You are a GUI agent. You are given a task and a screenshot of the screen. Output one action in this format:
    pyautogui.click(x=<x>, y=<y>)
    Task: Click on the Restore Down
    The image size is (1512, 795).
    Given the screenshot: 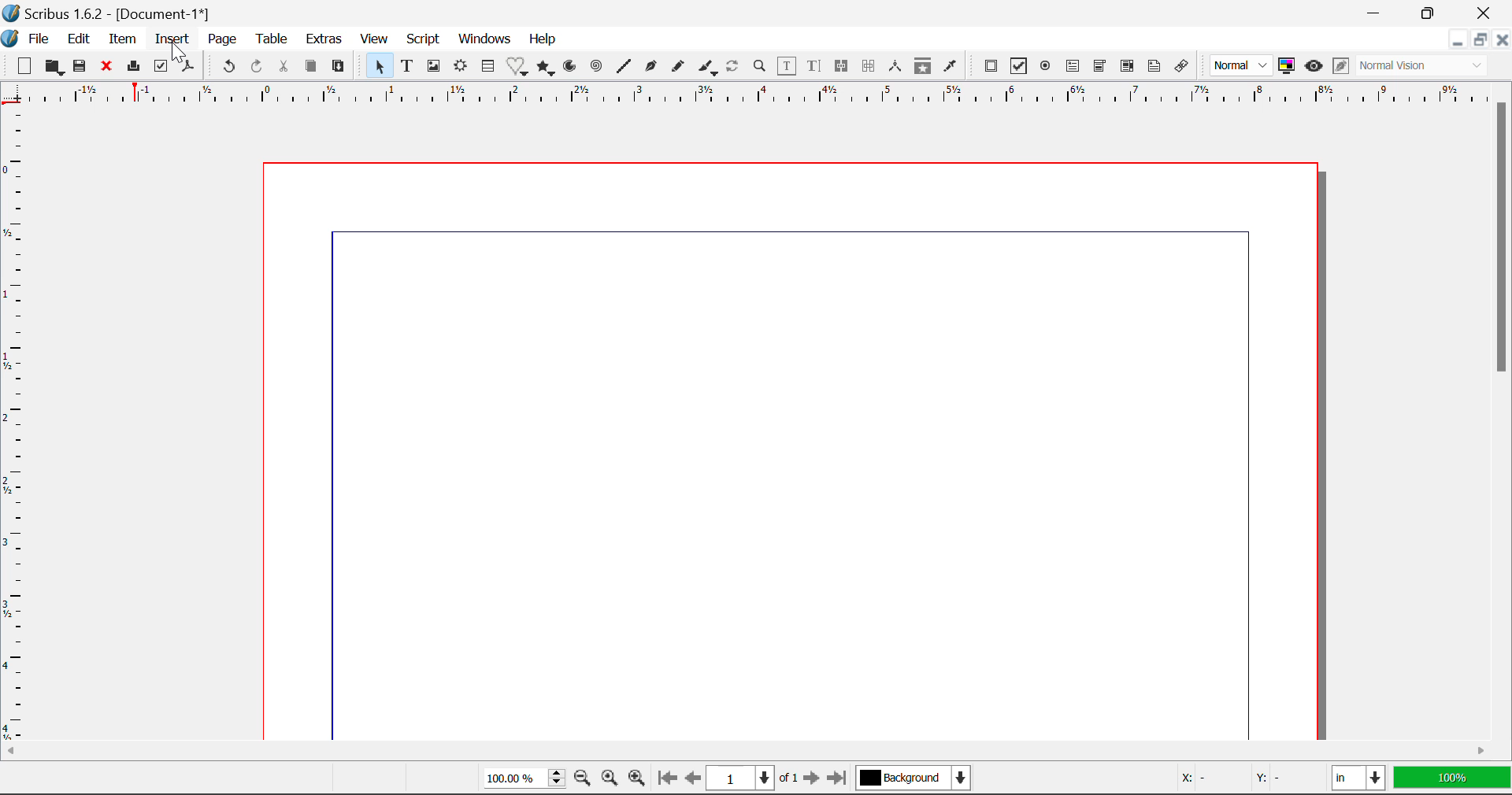 What is the action you would take?
    pyautogui.click(x=1378, y=12)
    